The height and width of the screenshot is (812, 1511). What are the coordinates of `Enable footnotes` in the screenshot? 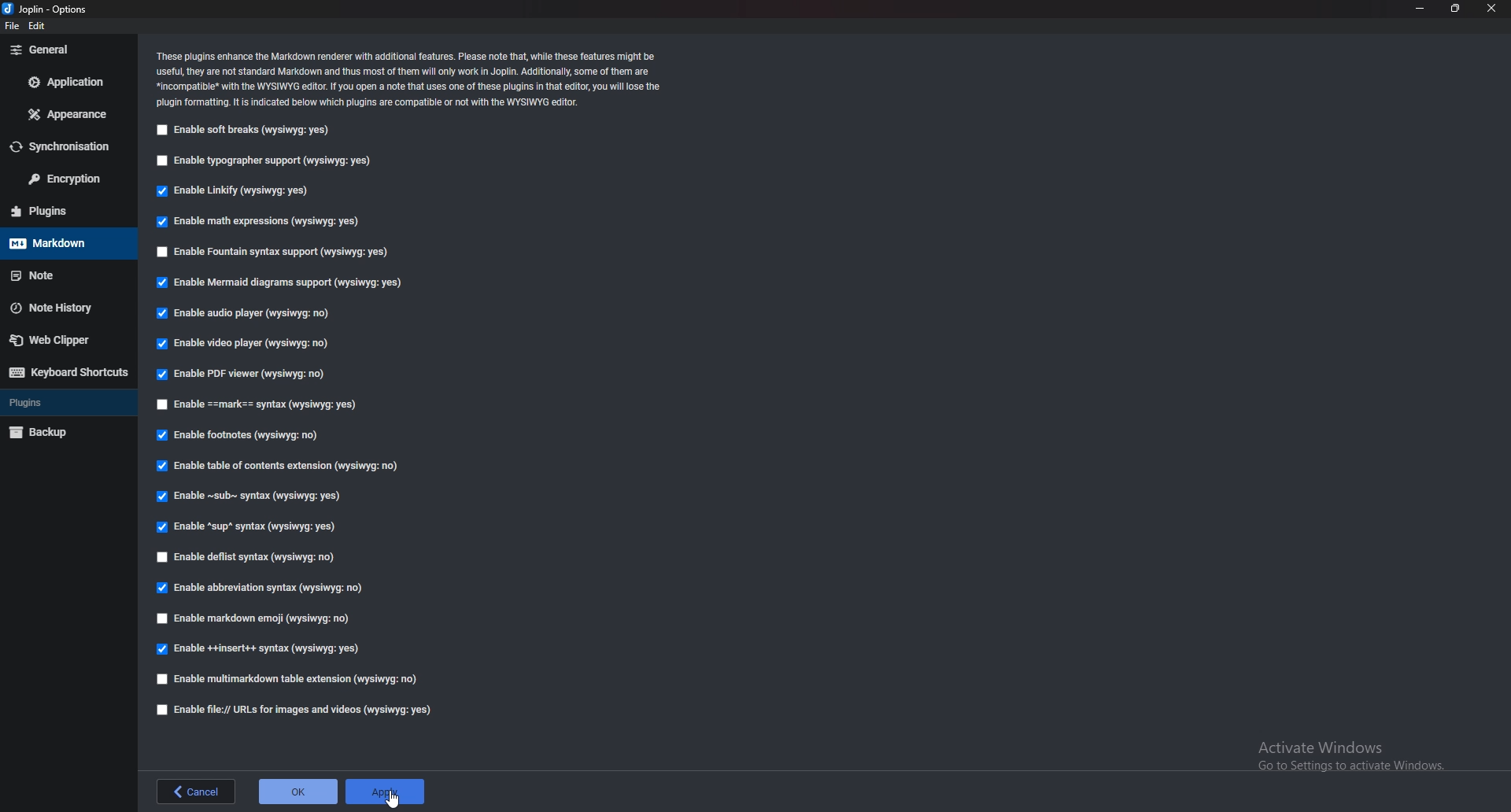 It's located at (241, 437).